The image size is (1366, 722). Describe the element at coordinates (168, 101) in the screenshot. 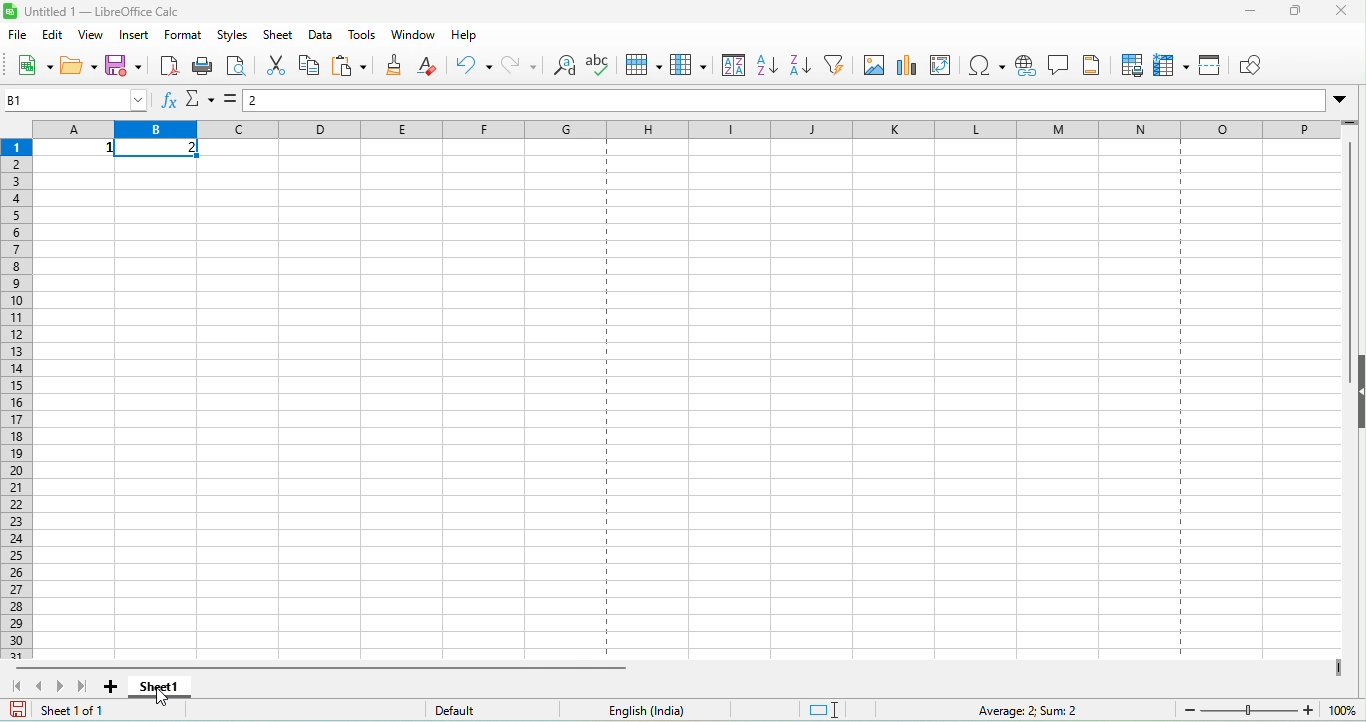

I see `function wizard` at that location.